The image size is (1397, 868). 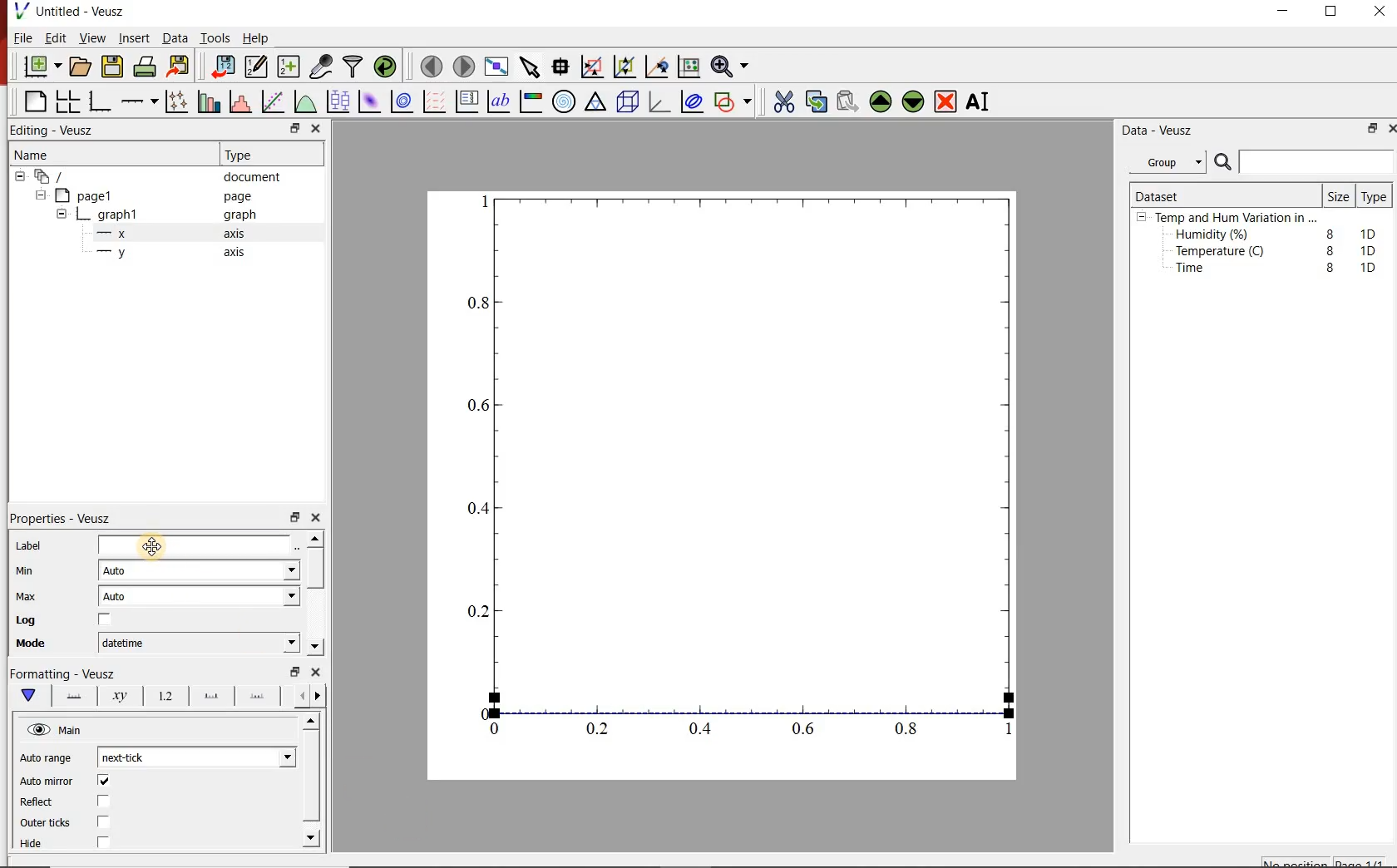 I want to click on 1, so click(x=1003, y=732).